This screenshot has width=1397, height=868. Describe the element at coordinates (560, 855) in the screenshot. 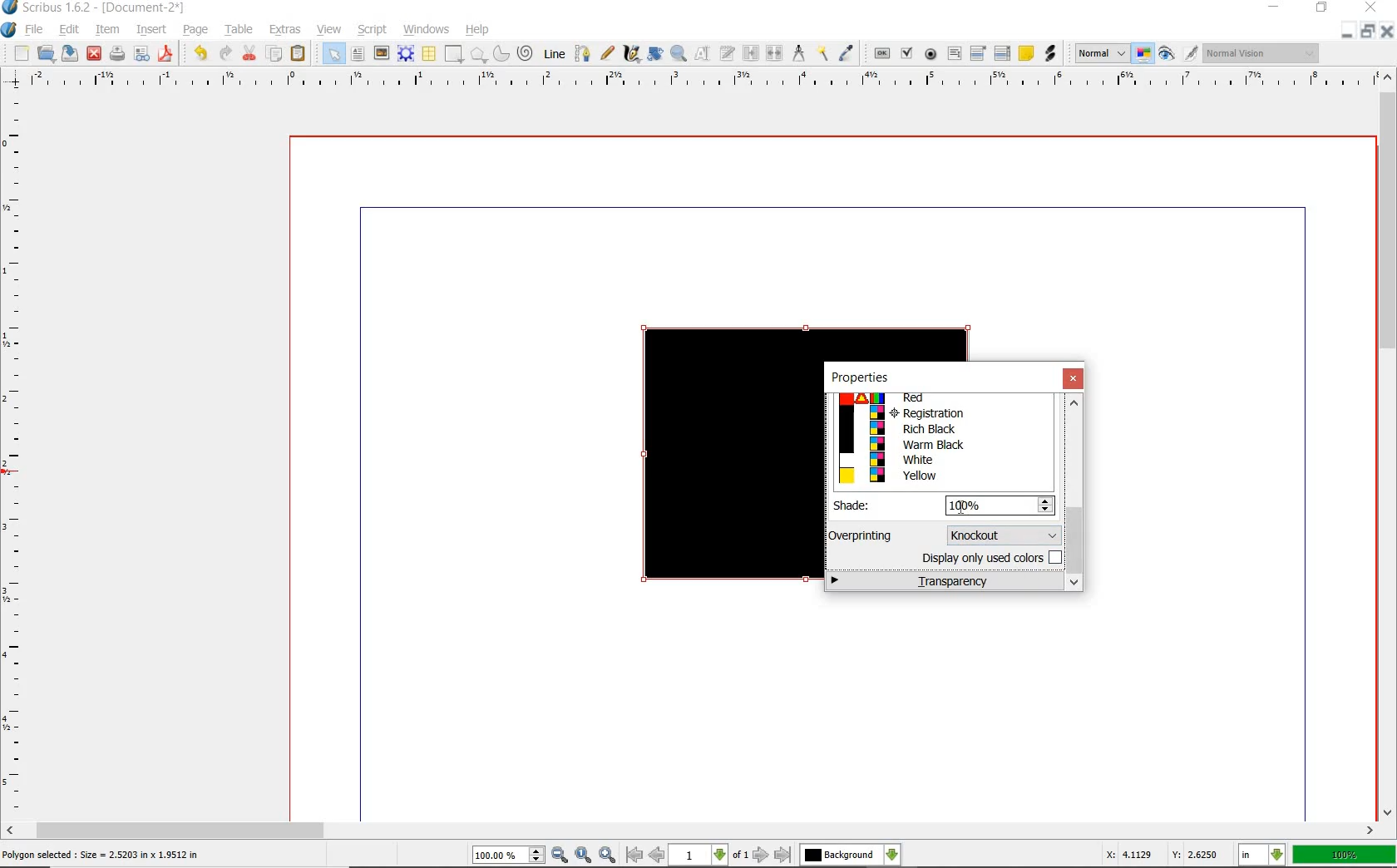

I see `zoom out` at that location.